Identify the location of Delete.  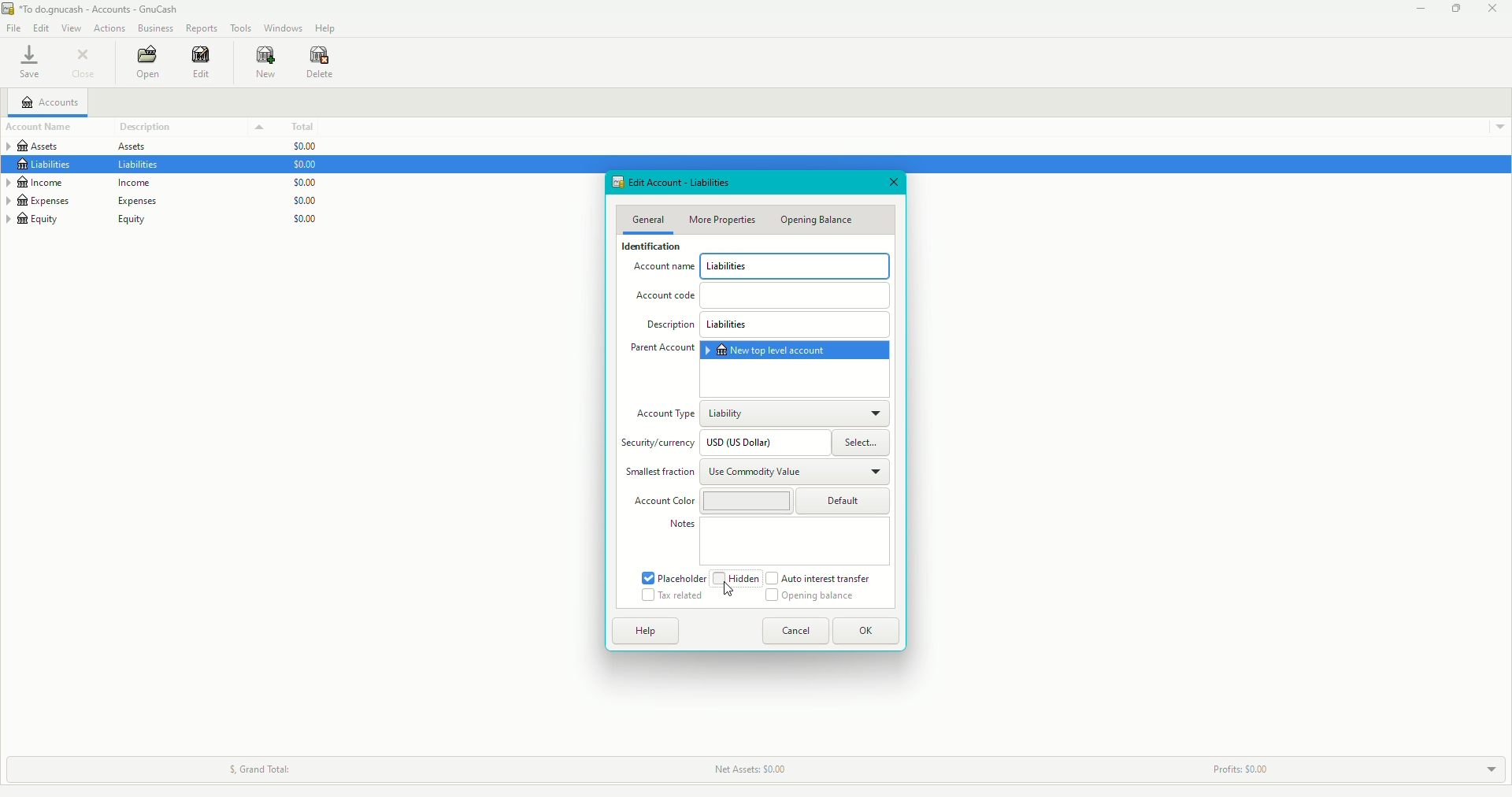
(323, 61).